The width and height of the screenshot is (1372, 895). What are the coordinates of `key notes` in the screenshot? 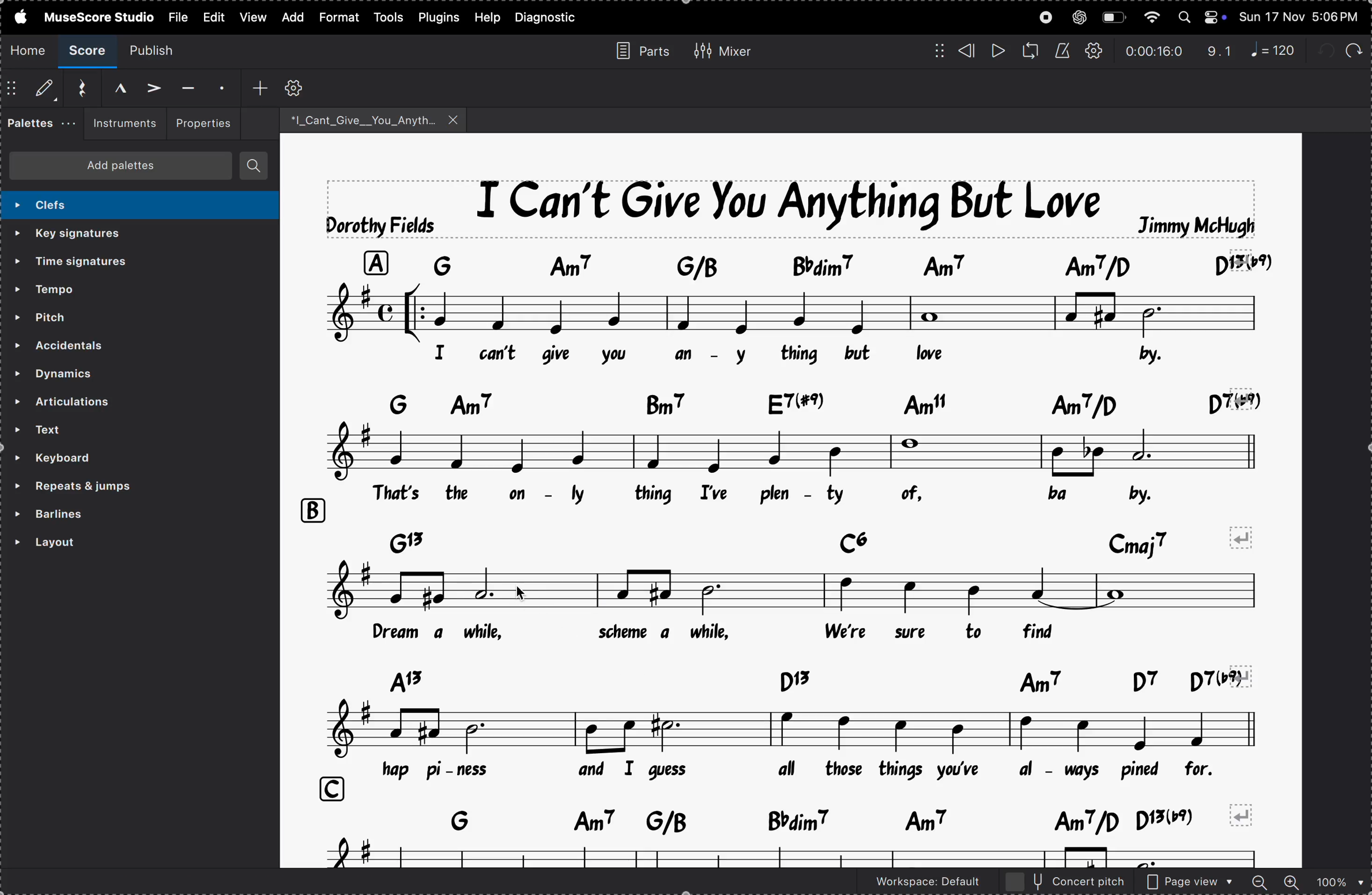 It's located at (798, 679).